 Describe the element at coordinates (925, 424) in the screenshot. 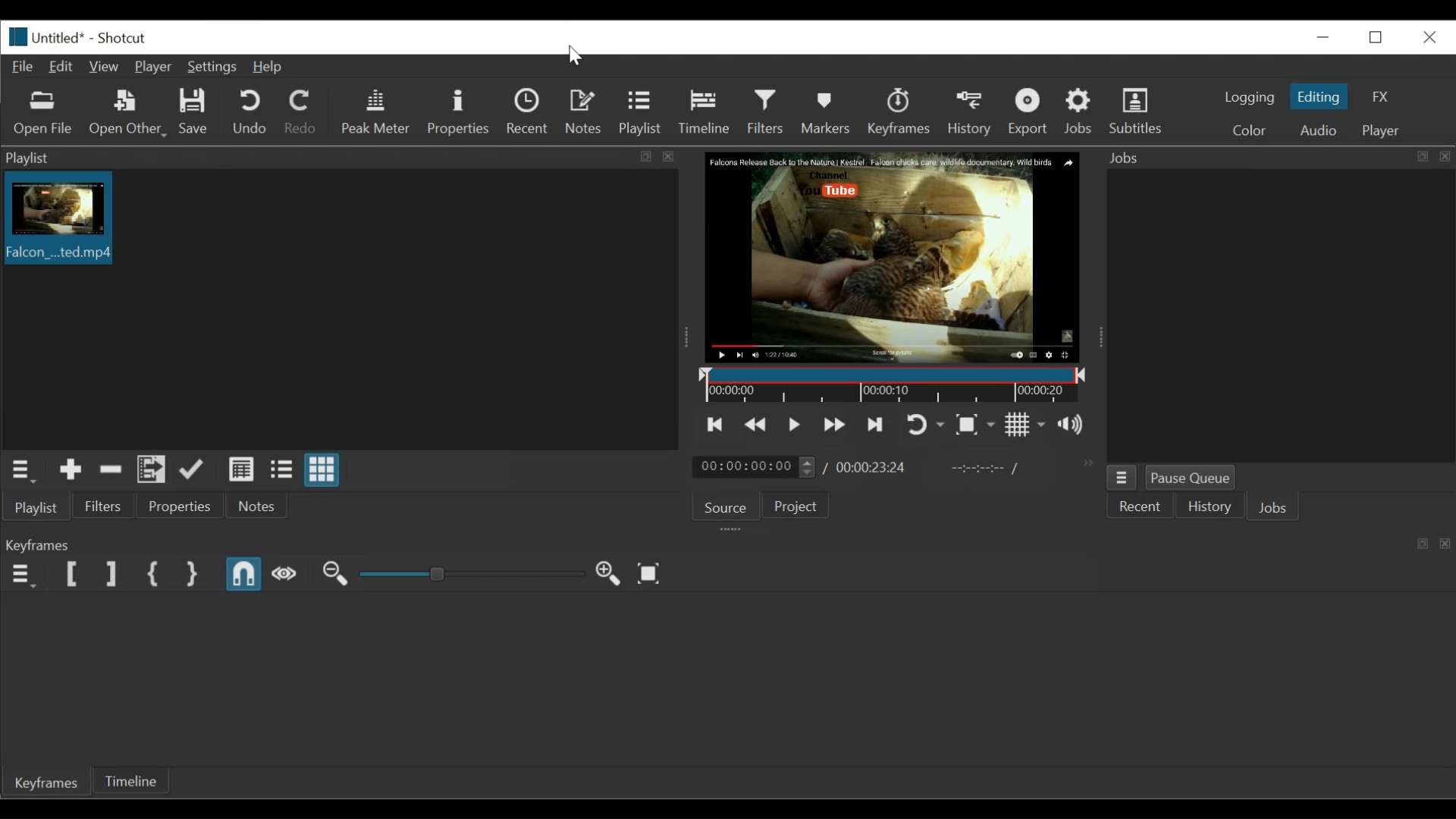

I see `Toggle player looping` at that location.